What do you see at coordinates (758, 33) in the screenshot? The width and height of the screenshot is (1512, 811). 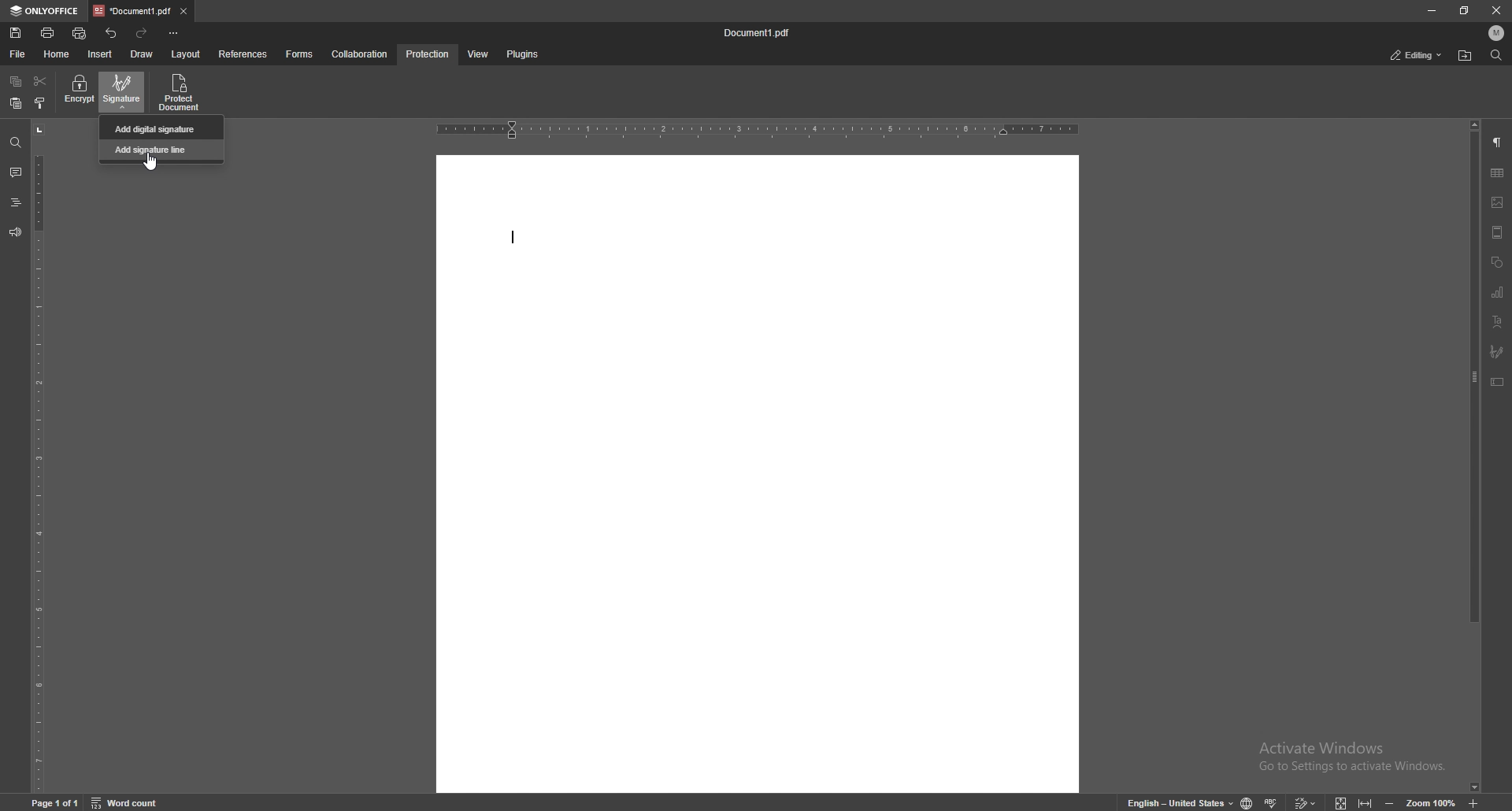 I see `file name` at bounding box center [758, 33].